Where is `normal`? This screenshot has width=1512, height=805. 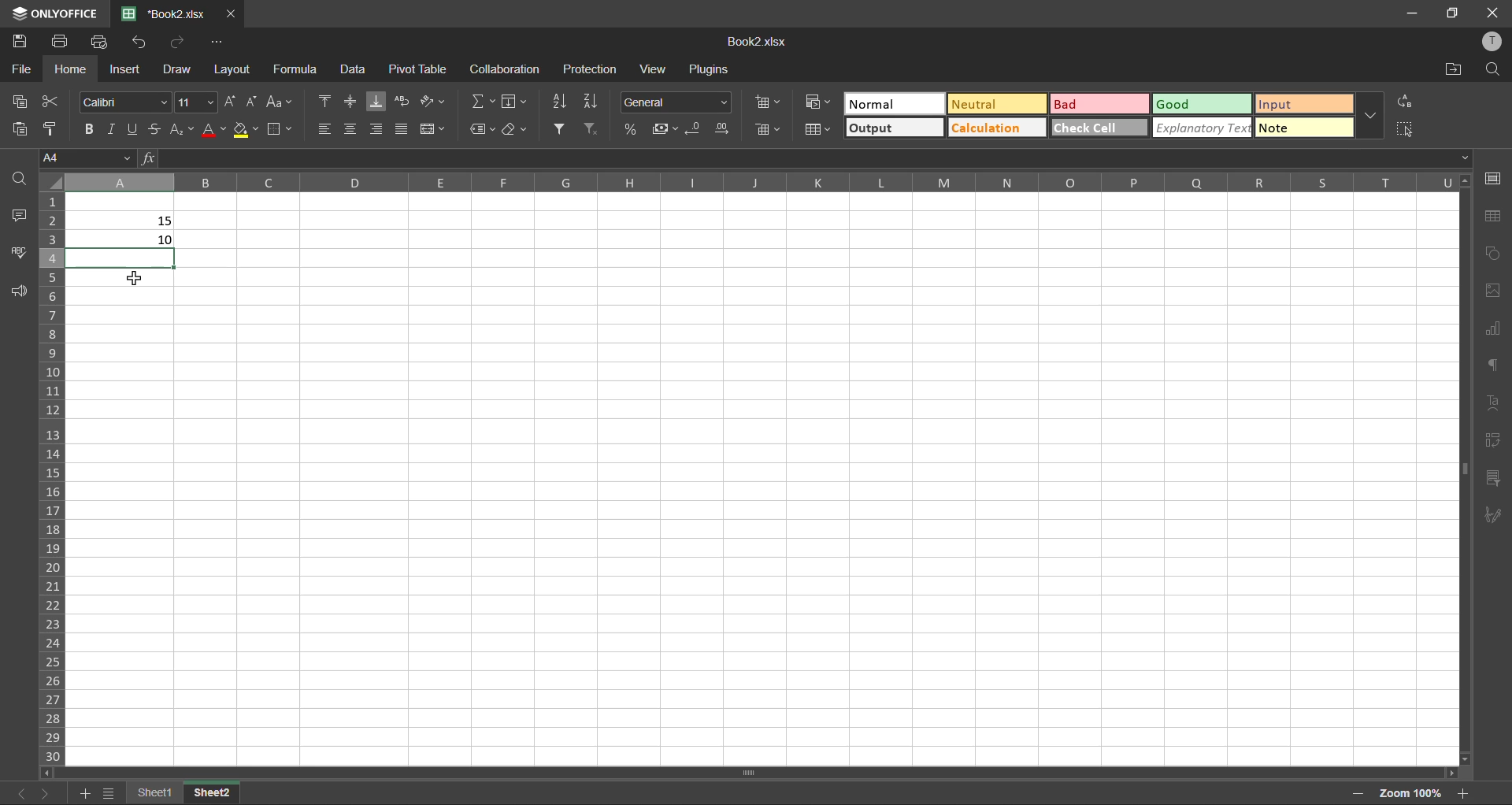
normal is located at coordinates (891, 104).